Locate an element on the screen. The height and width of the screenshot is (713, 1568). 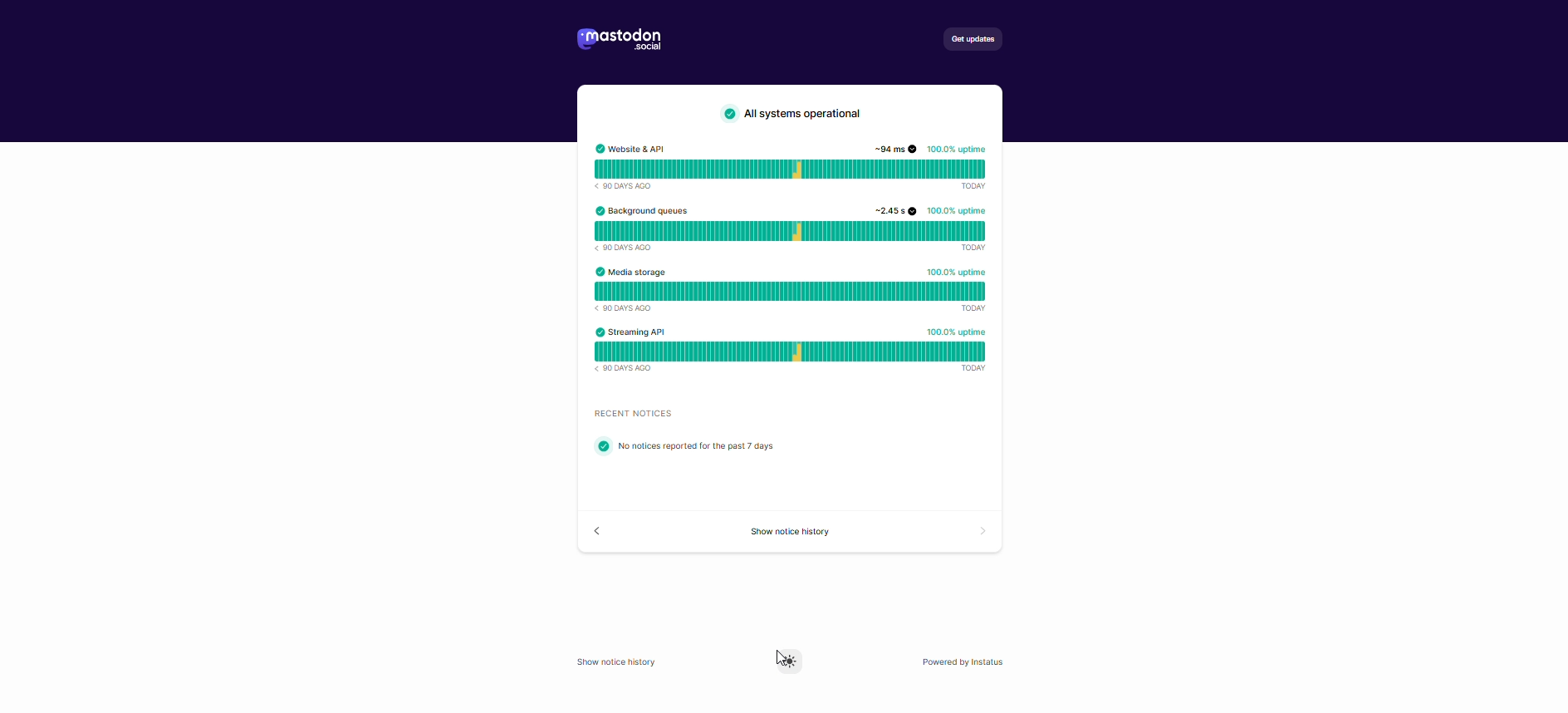
powered by instatus is located at coordinates (969, 661).